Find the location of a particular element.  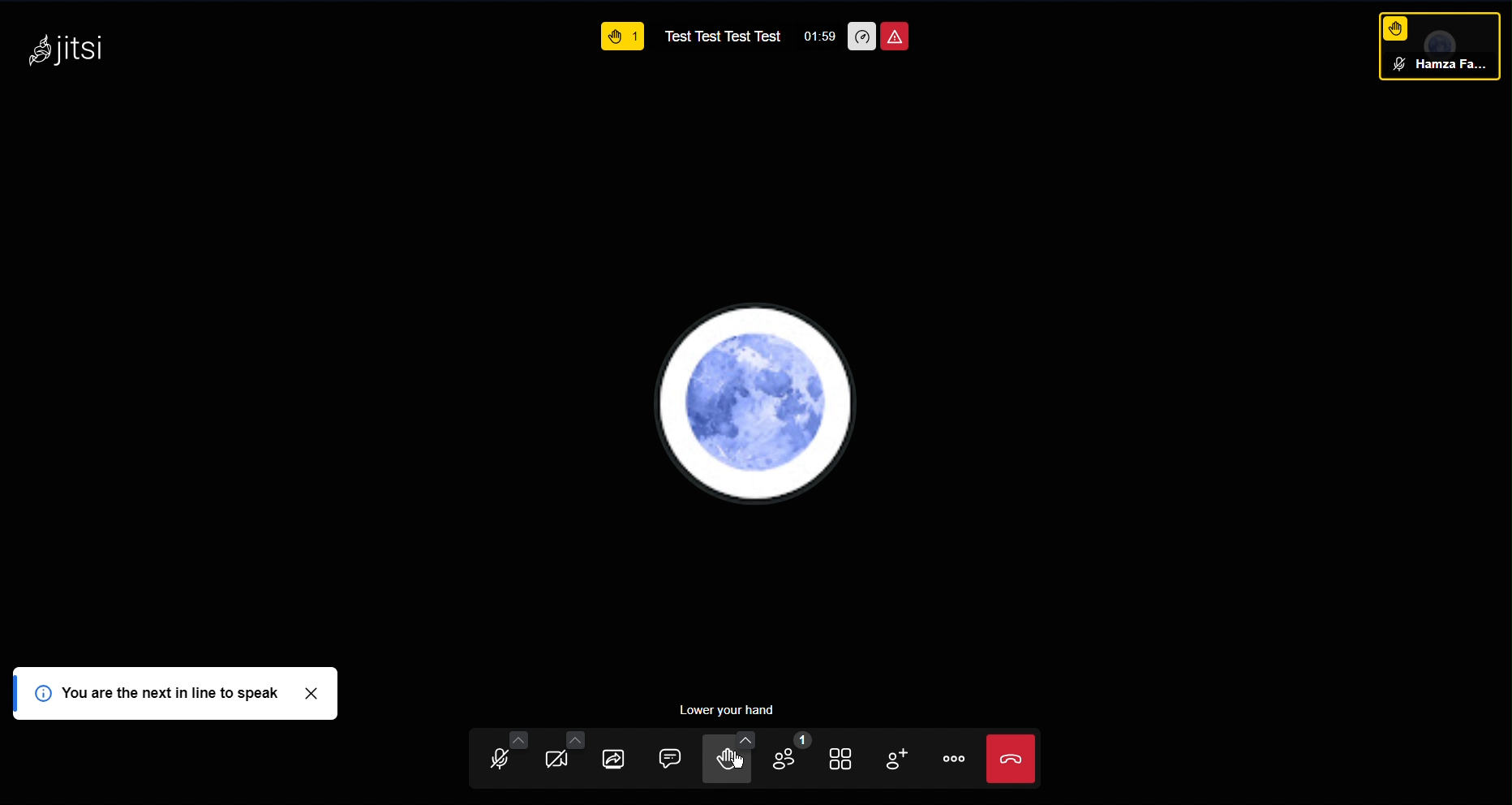

Video is located at coordinates (569, 759).